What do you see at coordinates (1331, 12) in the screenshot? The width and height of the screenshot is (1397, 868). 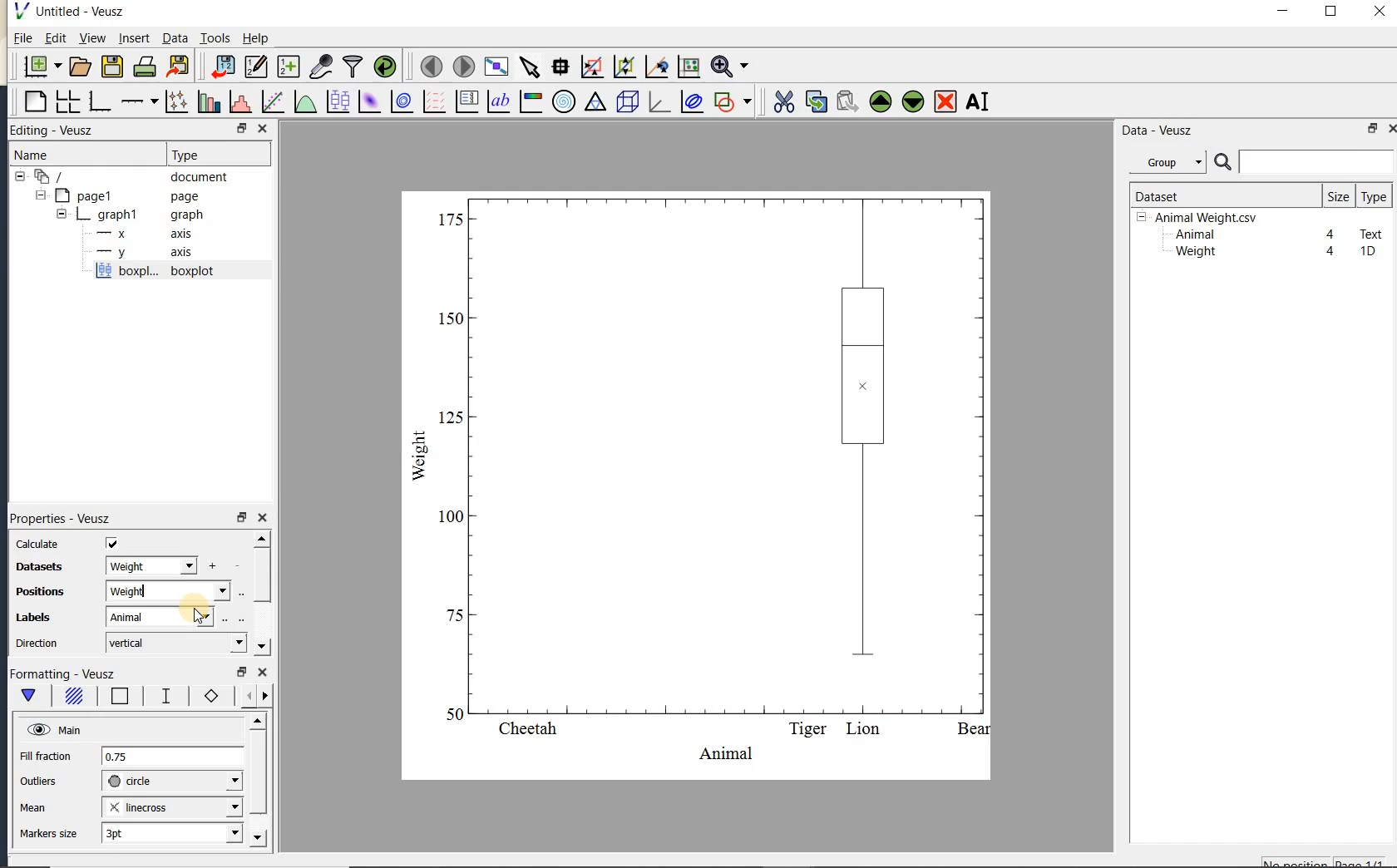 I see `maximize` at bounding box center [1331, 12].